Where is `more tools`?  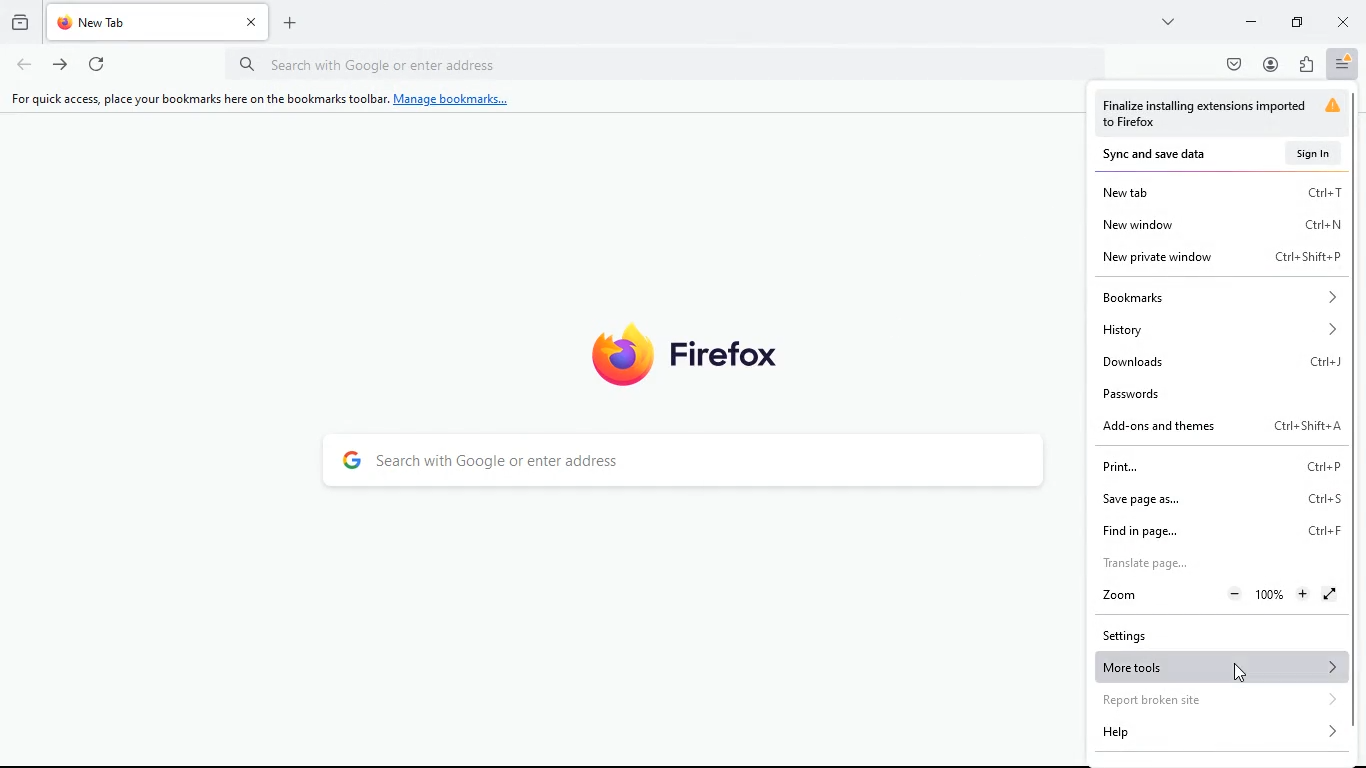 more tools is located at coordinates (1221, 667).